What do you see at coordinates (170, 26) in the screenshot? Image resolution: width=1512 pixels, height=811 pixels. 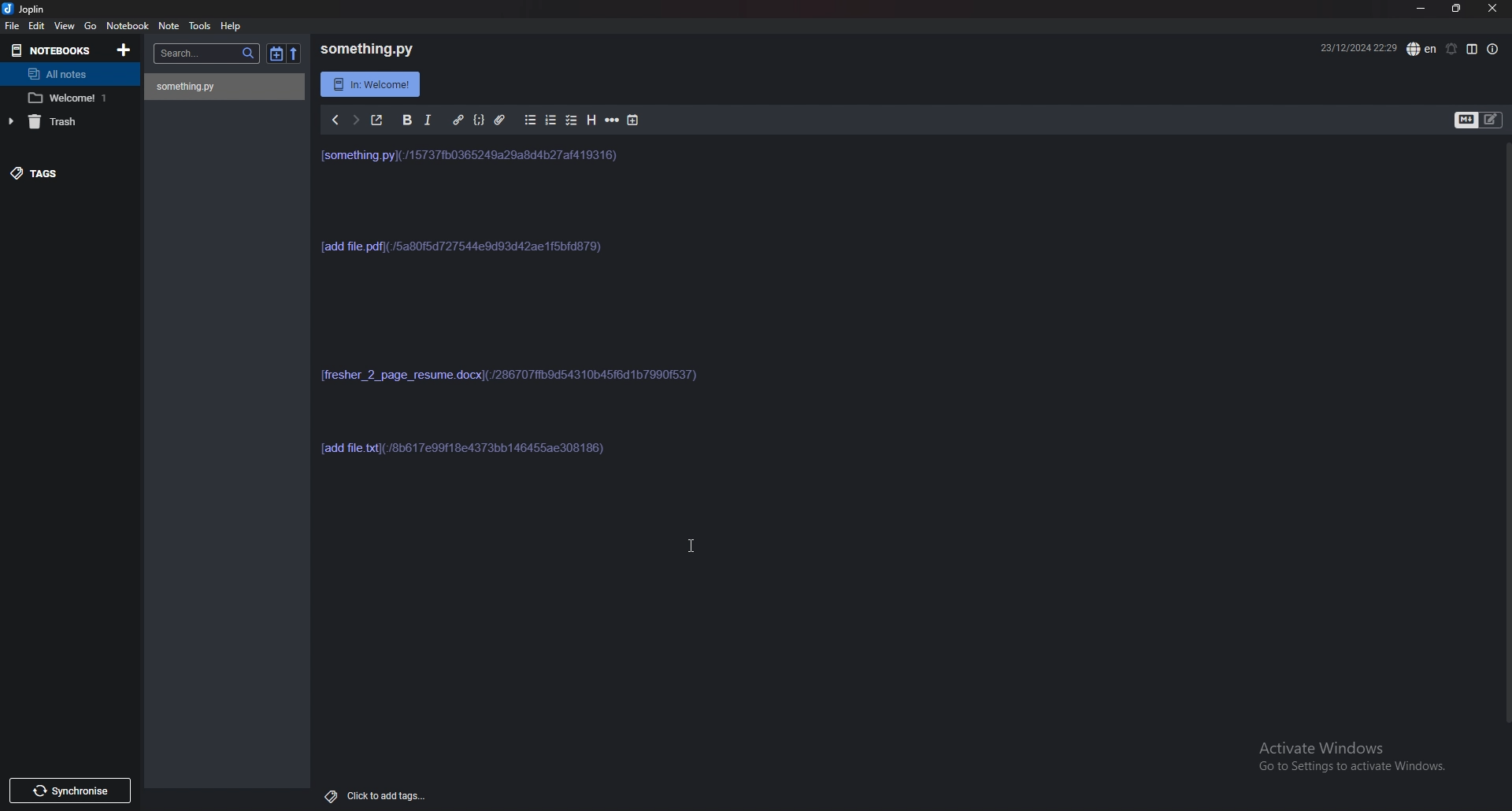 I see `note` at bounding box center [170, 26].